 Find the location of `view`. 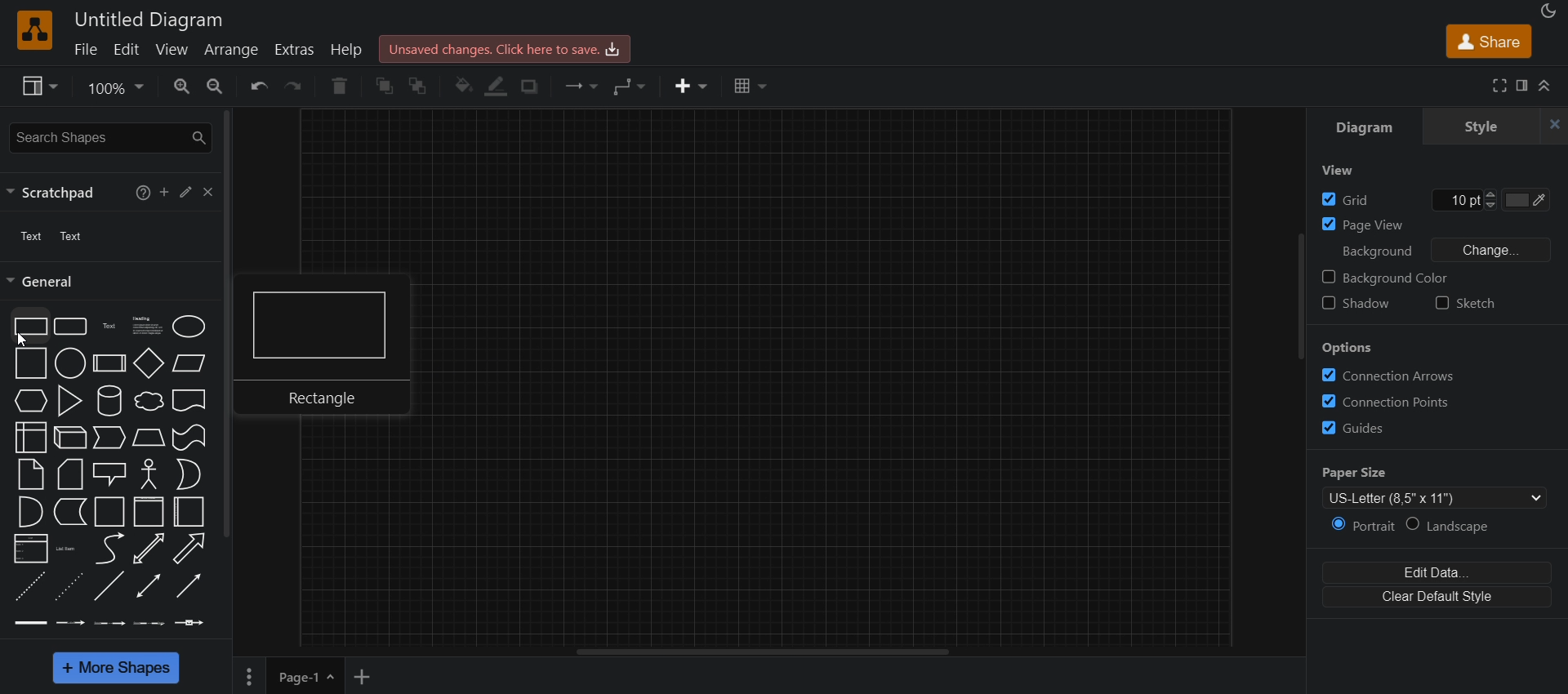

view is located at coordinates (1343, 169).